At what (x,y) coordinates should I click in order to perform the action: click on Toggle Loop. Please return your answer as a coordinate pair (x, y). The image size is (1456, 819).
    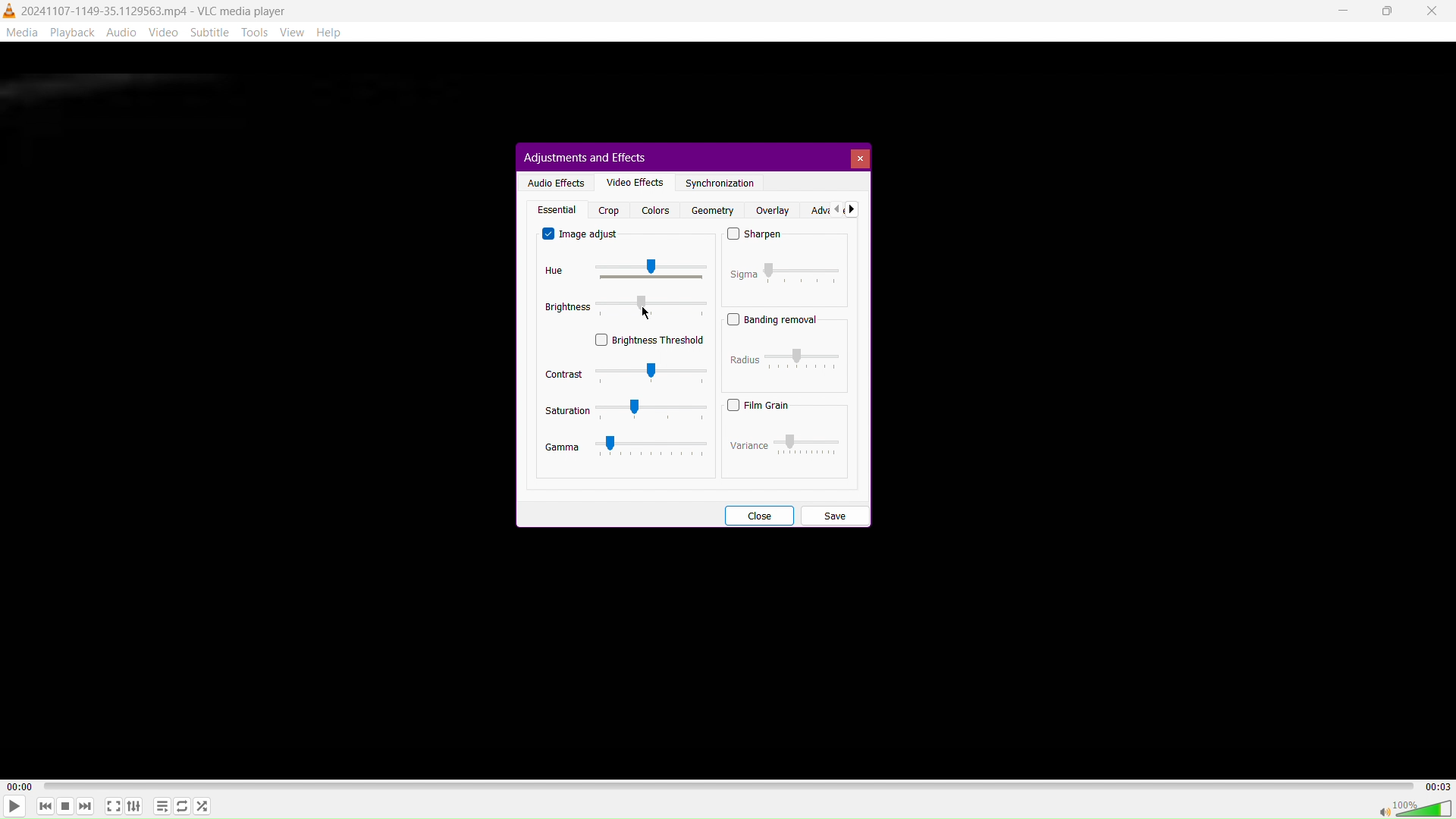
    Looking at the image, I should click on (182, 807).